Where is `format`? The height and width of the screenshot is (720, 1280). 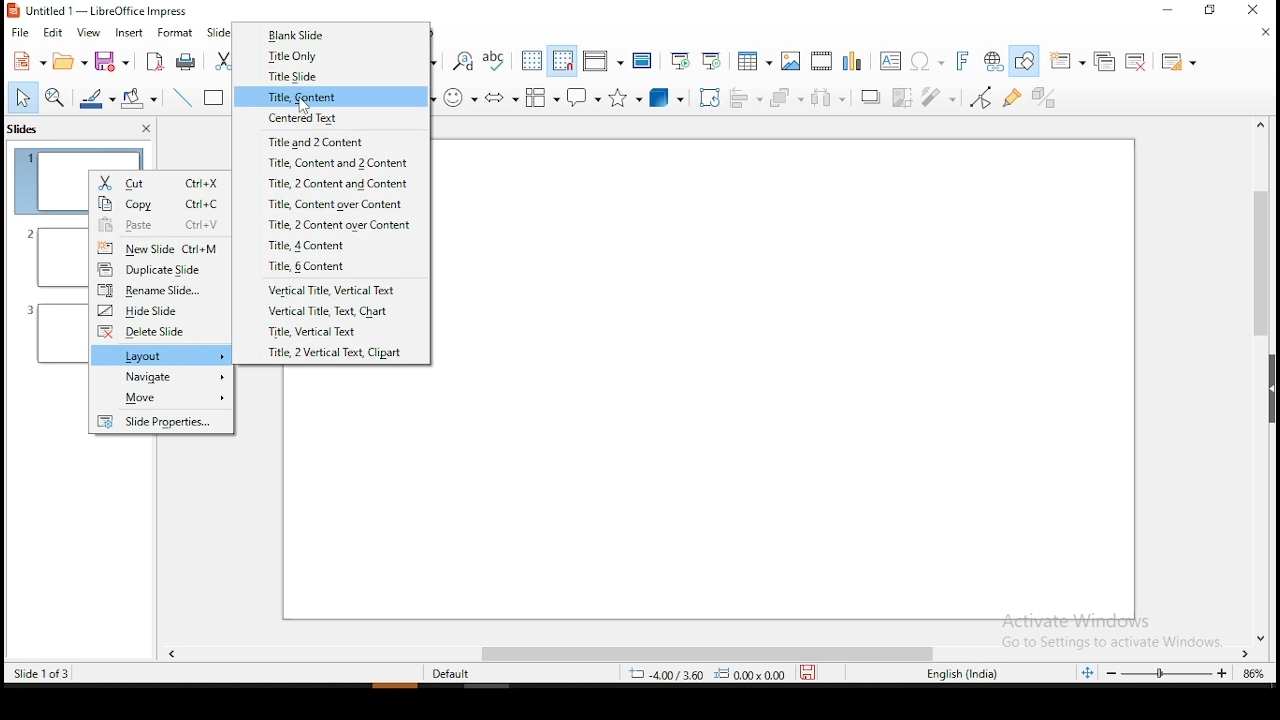 format is located at coordinates (174, 35).